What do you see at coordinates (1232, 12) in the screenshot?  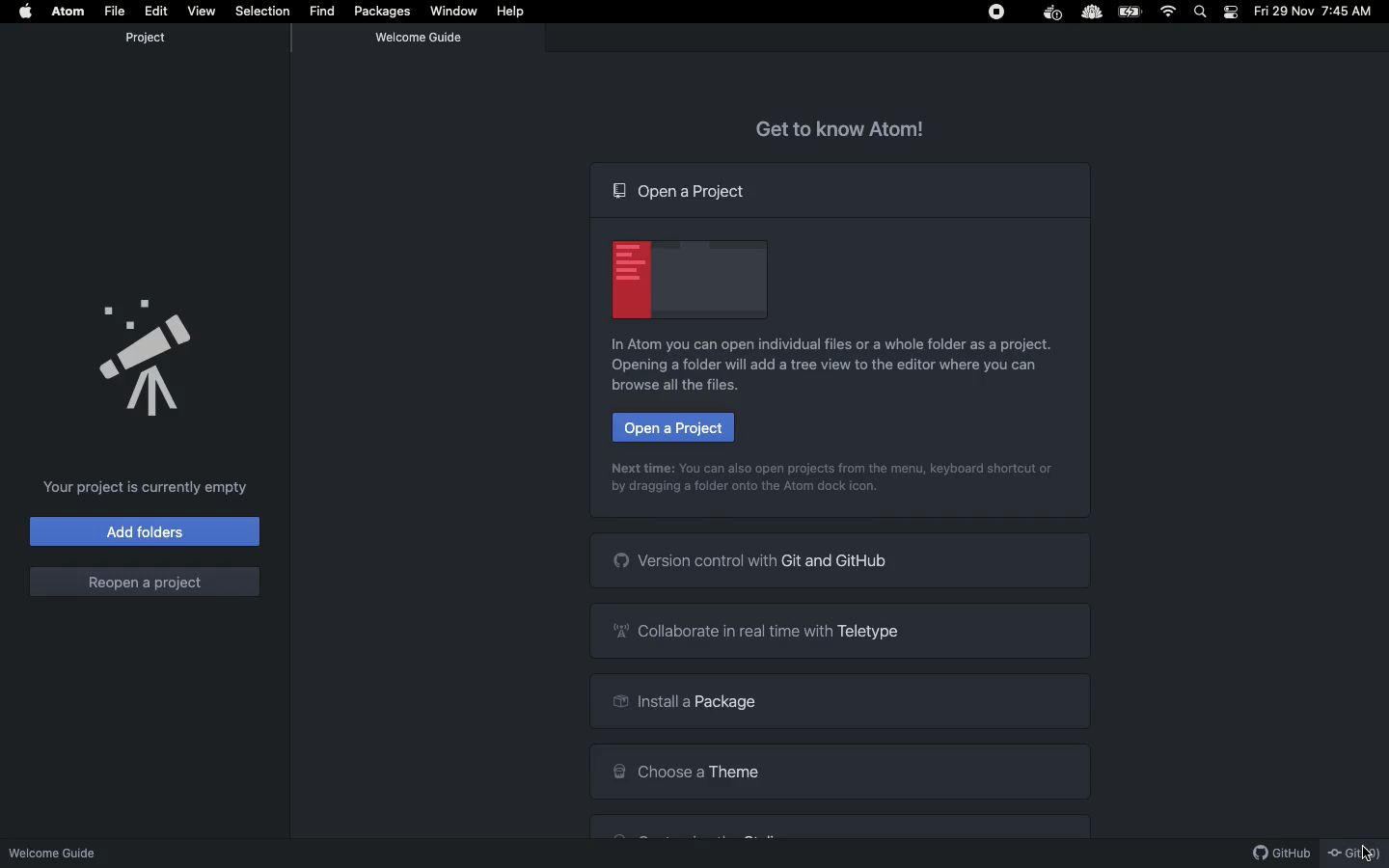 I see `Notification` at bounding box center [1232, 12].